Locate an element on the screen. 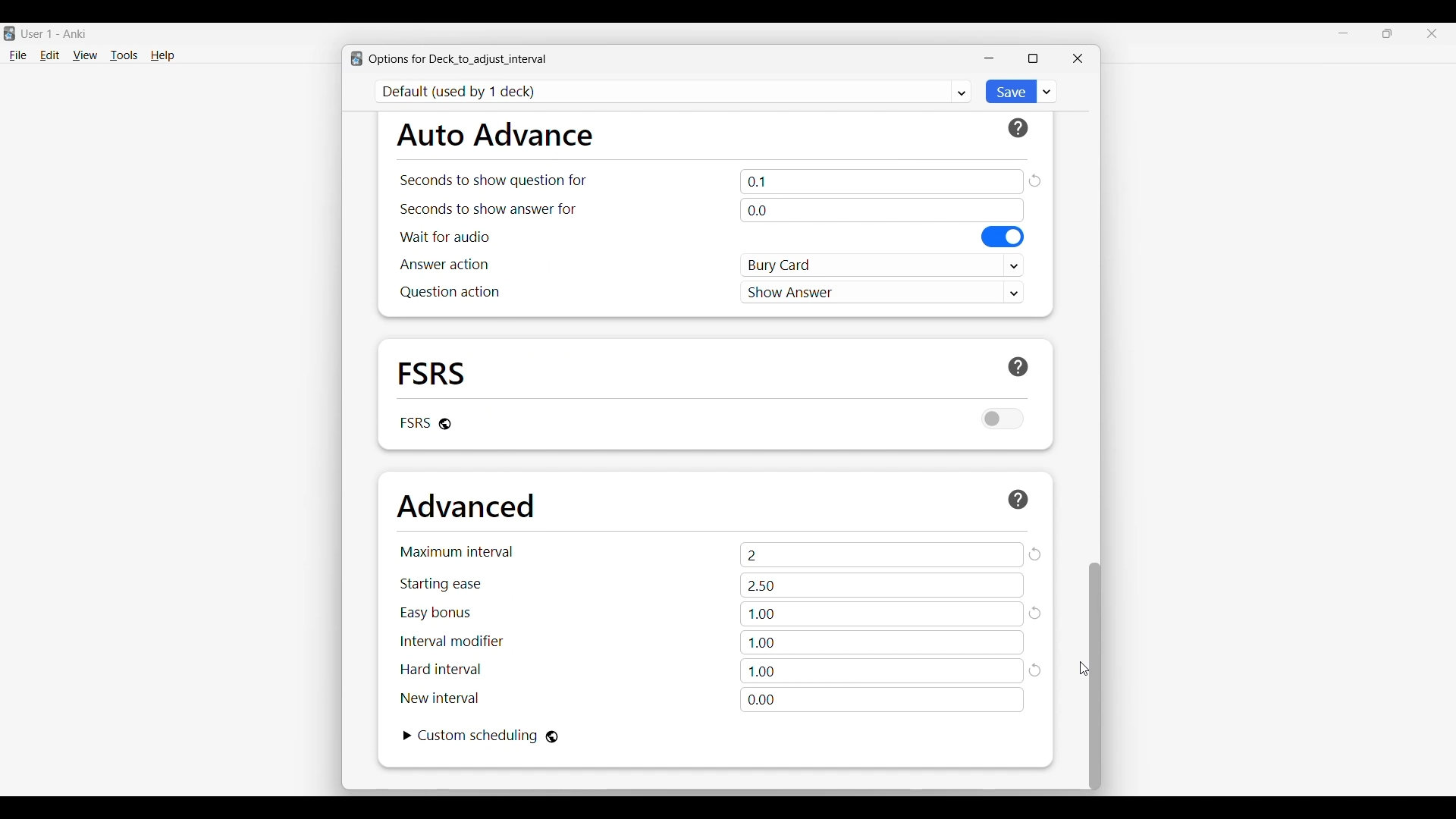 The image size is (1456, 819). reload is located at coordinates (1037, 613).